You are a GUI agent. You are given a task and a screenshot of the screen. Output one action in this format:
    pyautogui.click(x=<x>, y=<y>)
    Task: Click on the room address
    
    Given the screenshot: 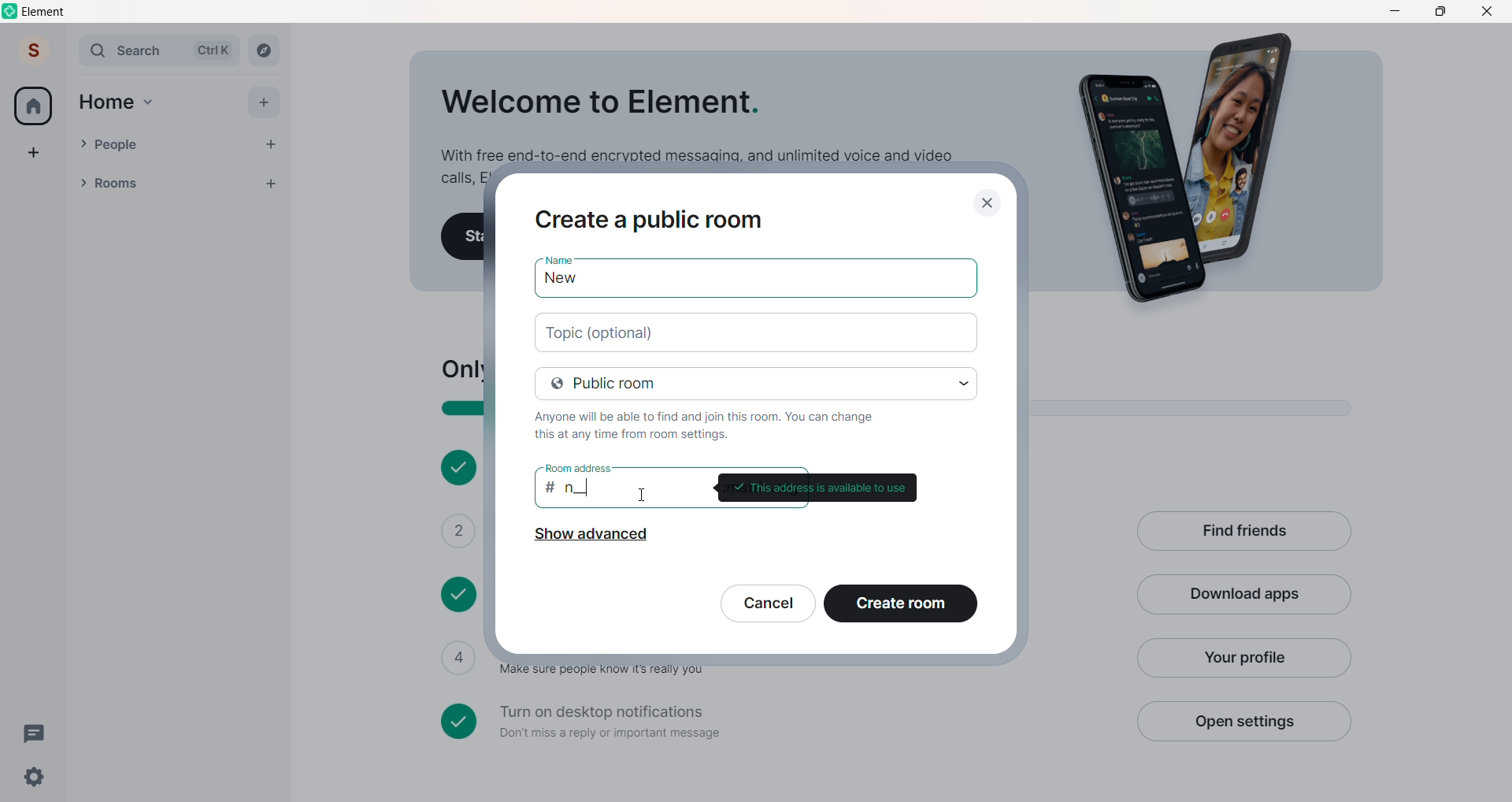 What is the action you would take?
    pyautogui.click(x=576, y=467)
    